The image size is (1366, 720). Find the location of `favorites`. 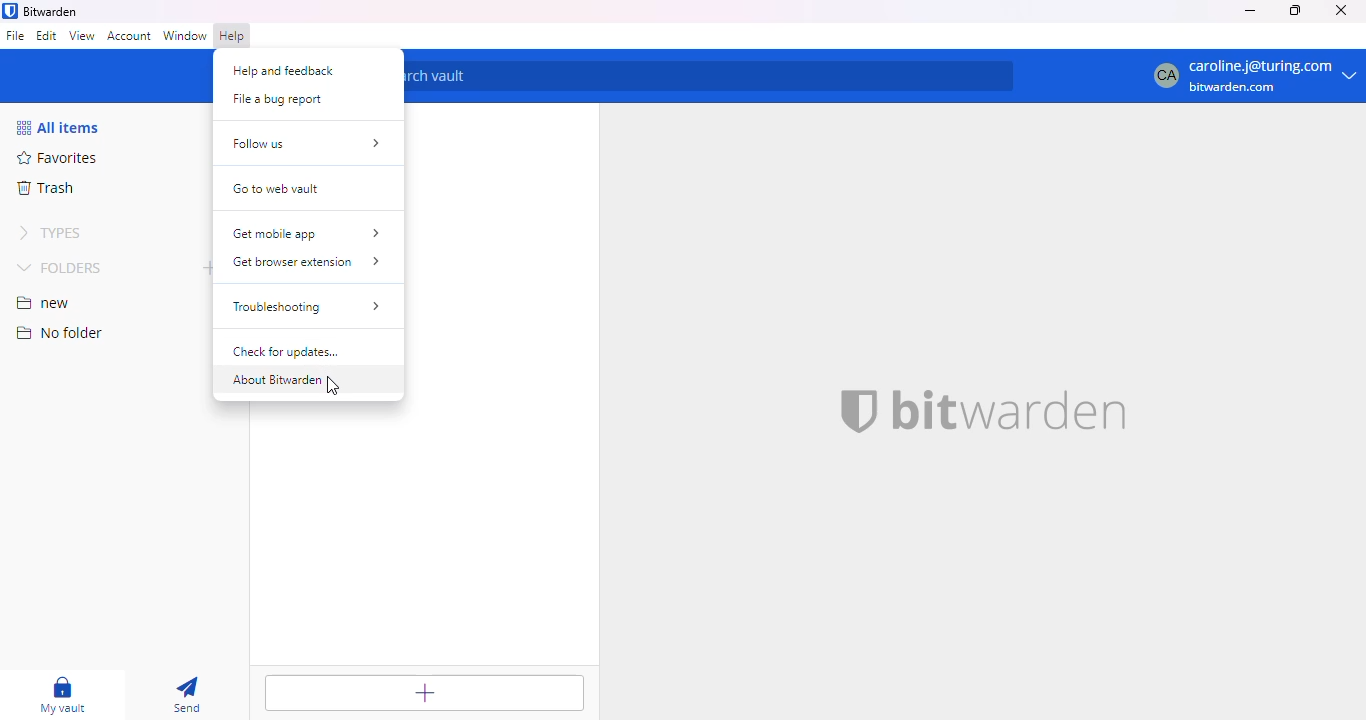

favorites is located at coordinates (55, 157).